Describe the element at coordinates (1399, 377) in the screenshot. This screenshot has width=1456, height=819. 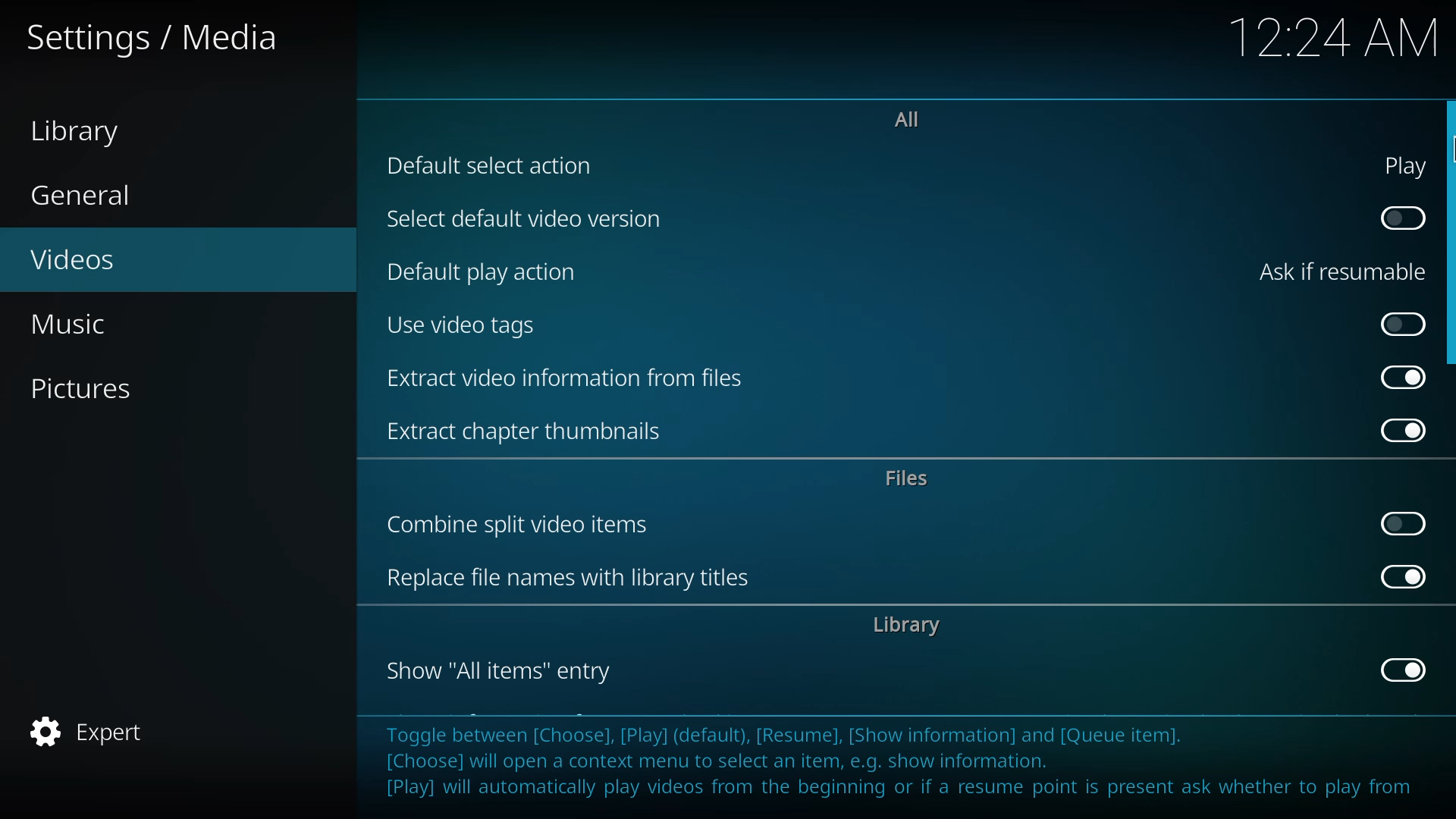
I see `enabled` at that location.